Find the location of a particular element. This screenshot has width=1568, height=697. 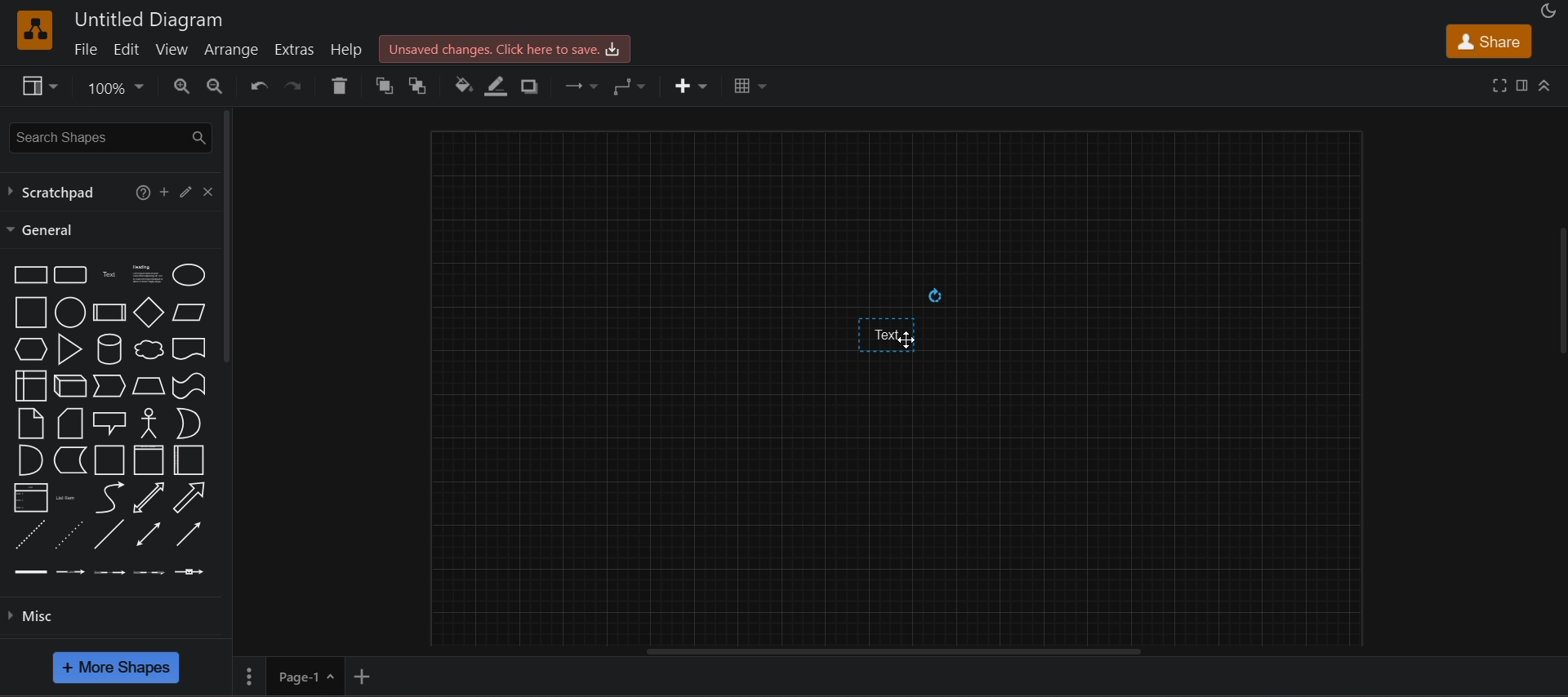

Bidirectional connector is located at coordinates (149, 534).